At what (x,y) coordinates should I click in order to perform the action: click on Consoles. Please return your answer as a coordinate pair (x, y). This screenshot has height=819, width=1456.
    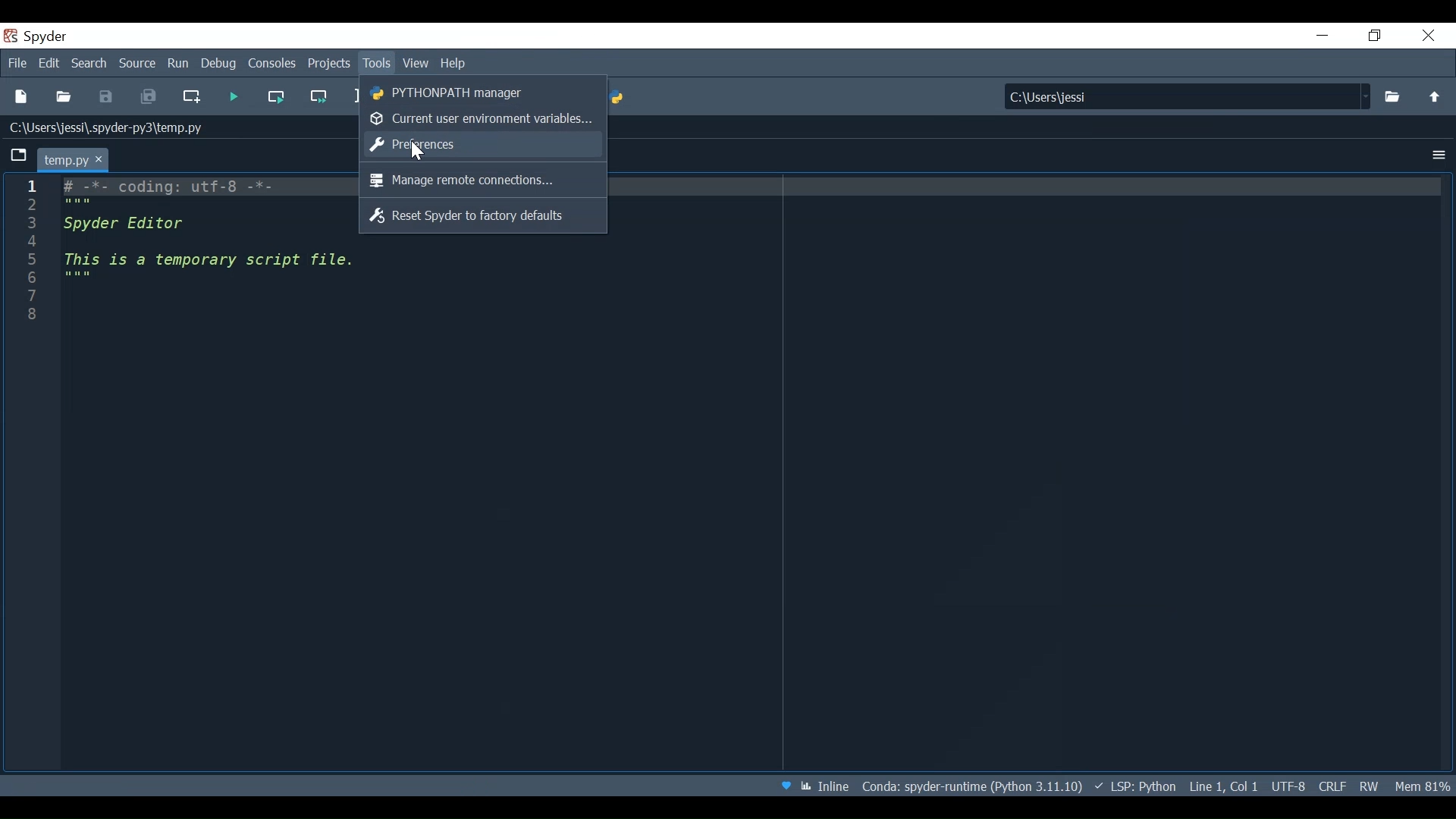
    Looking at the image, I should click on (271, 64).